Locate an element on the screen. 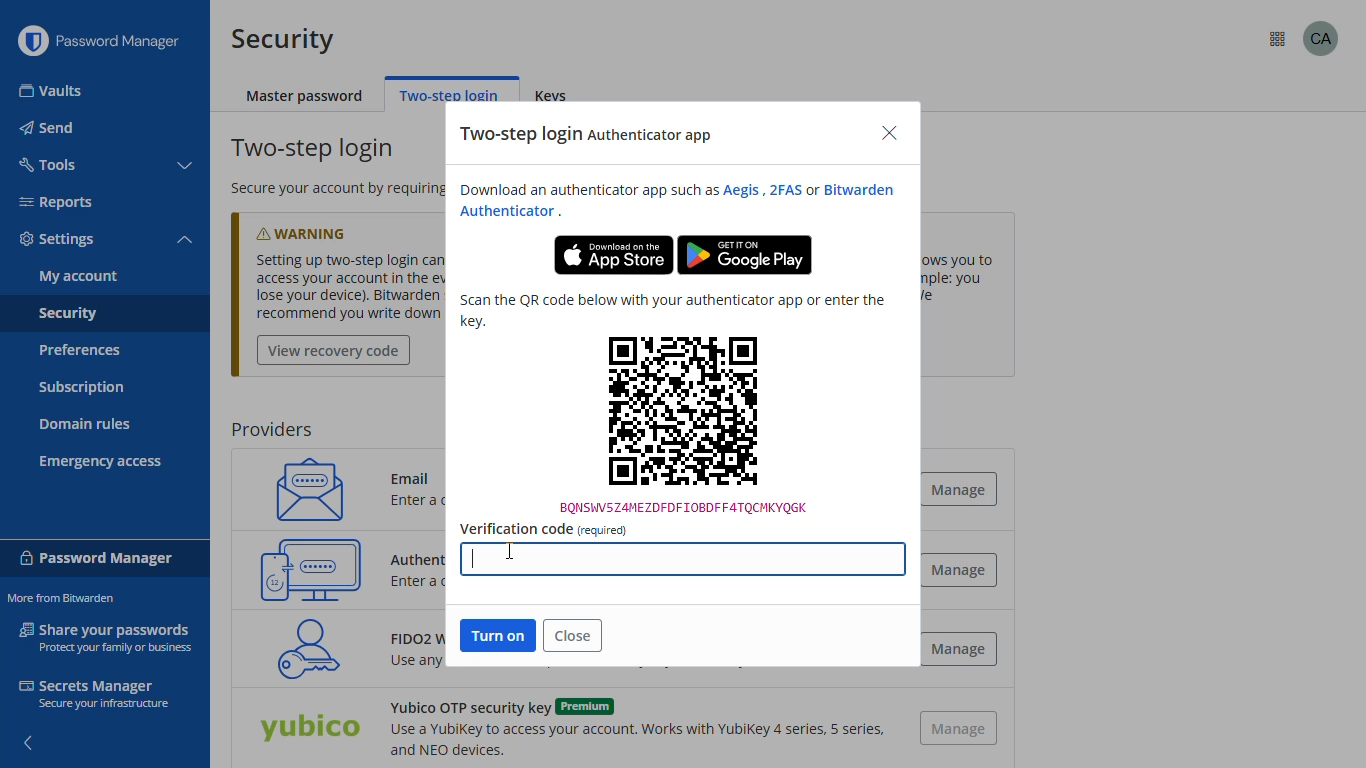 The height and width of the screenshot is (768, 1366). domain rules is located at coordinates (85, 426).